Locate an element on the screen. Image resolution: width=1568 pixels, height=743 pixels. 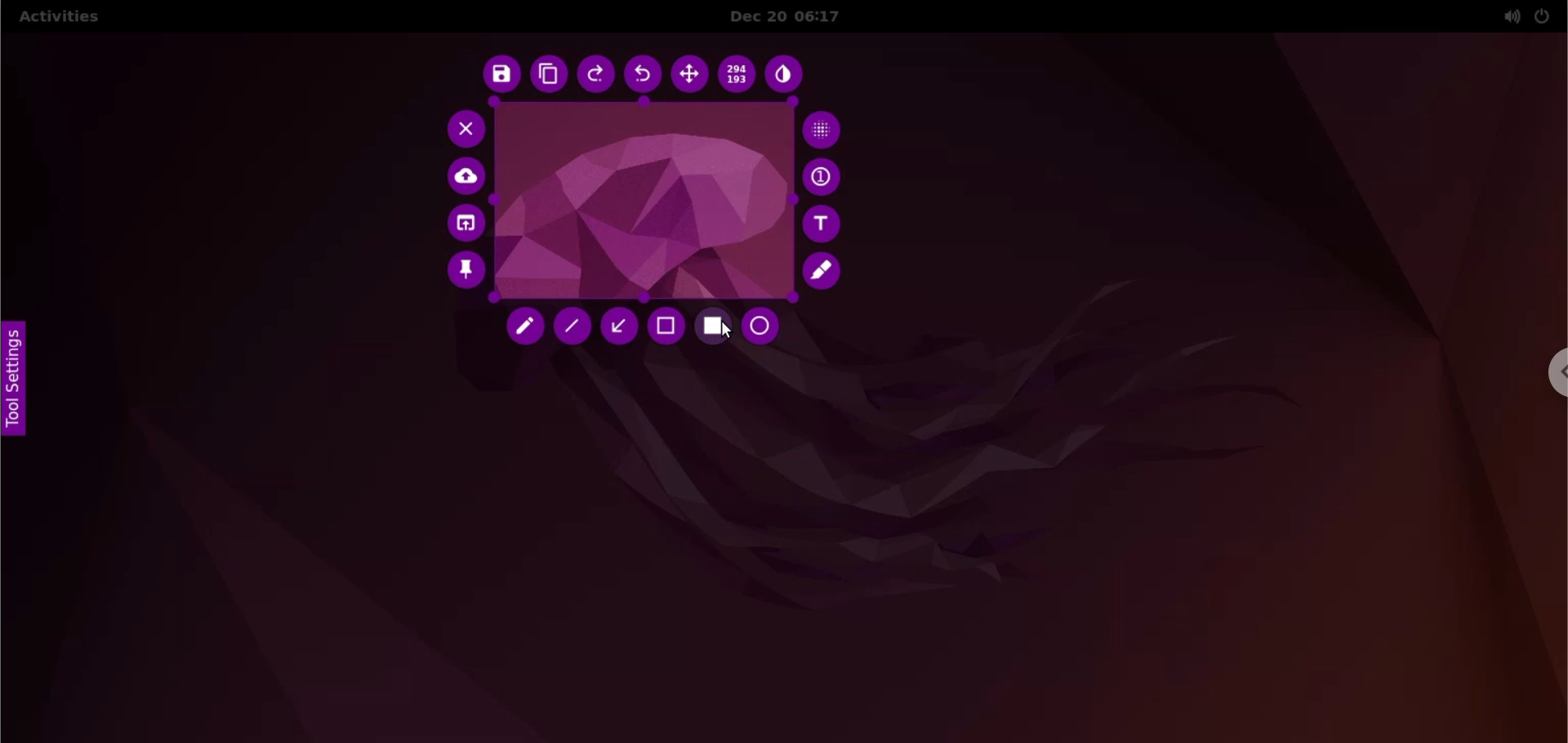
add text is located at coordinates (824, 224).